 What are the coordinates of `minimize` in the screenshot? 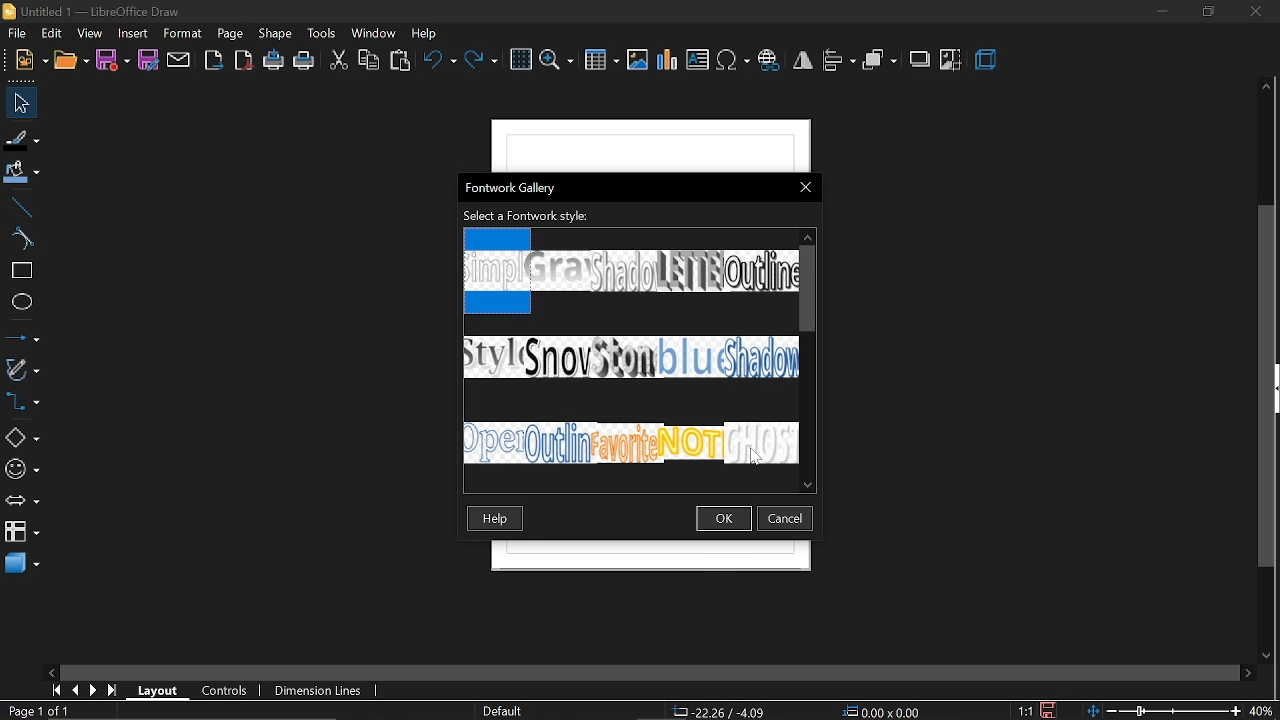 It's located at (1162, 12).